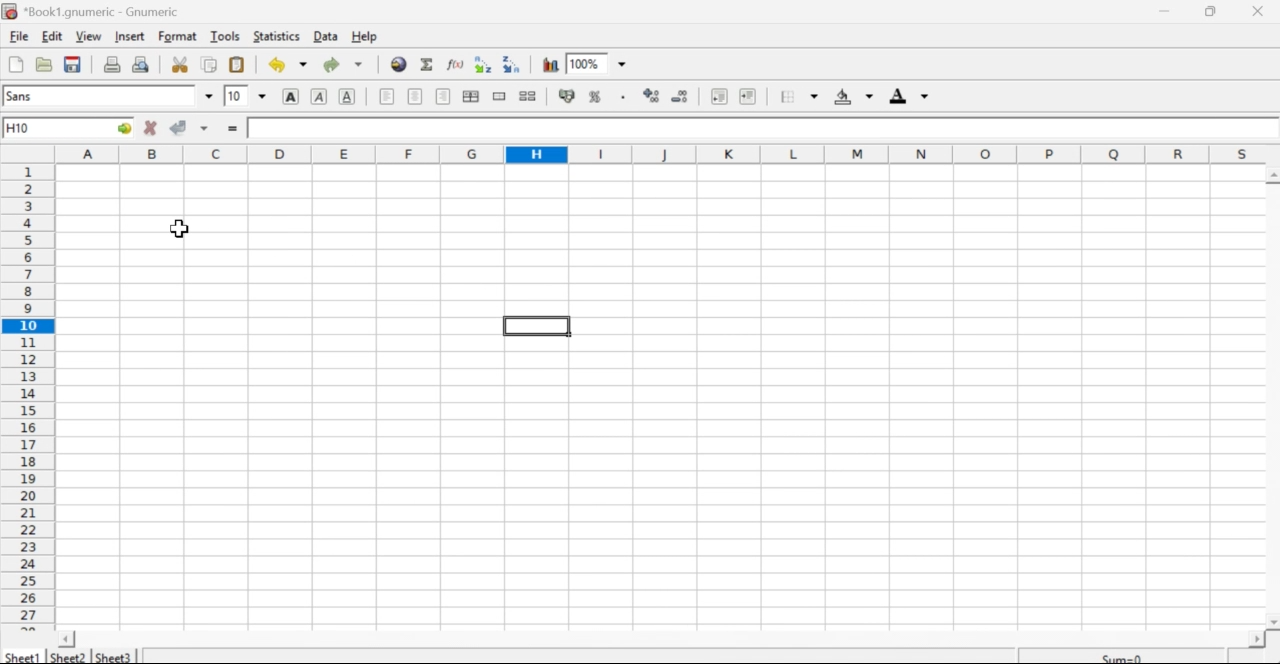 This screenshot has width=1280, height=664. Describe the element at coordinates (443, 96) in the screenshot. I see `Align right` at that location.